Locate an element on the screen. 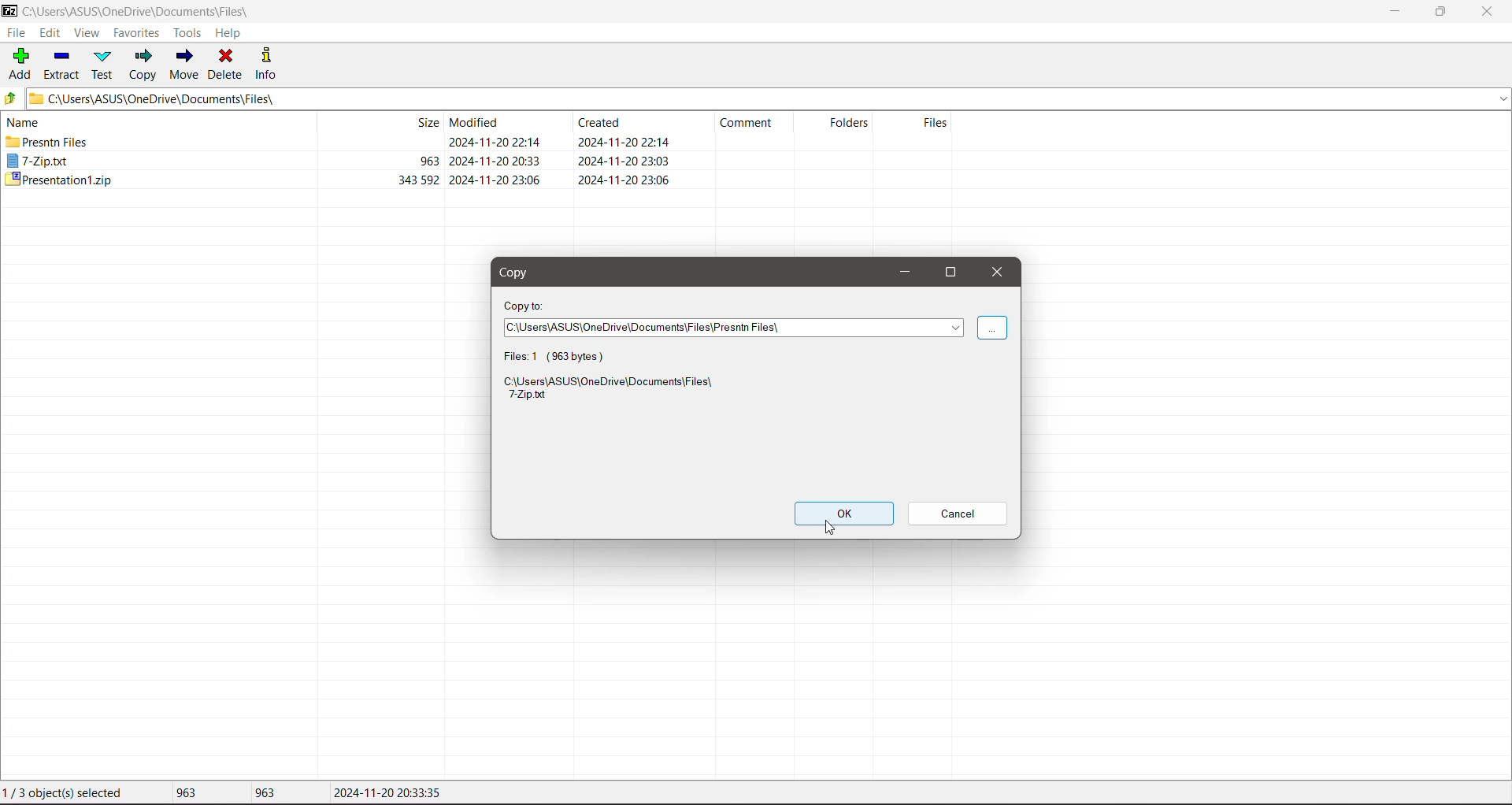 The width and height of the screenshot is (1512, 805). Info is located at coordinates (267, 62).